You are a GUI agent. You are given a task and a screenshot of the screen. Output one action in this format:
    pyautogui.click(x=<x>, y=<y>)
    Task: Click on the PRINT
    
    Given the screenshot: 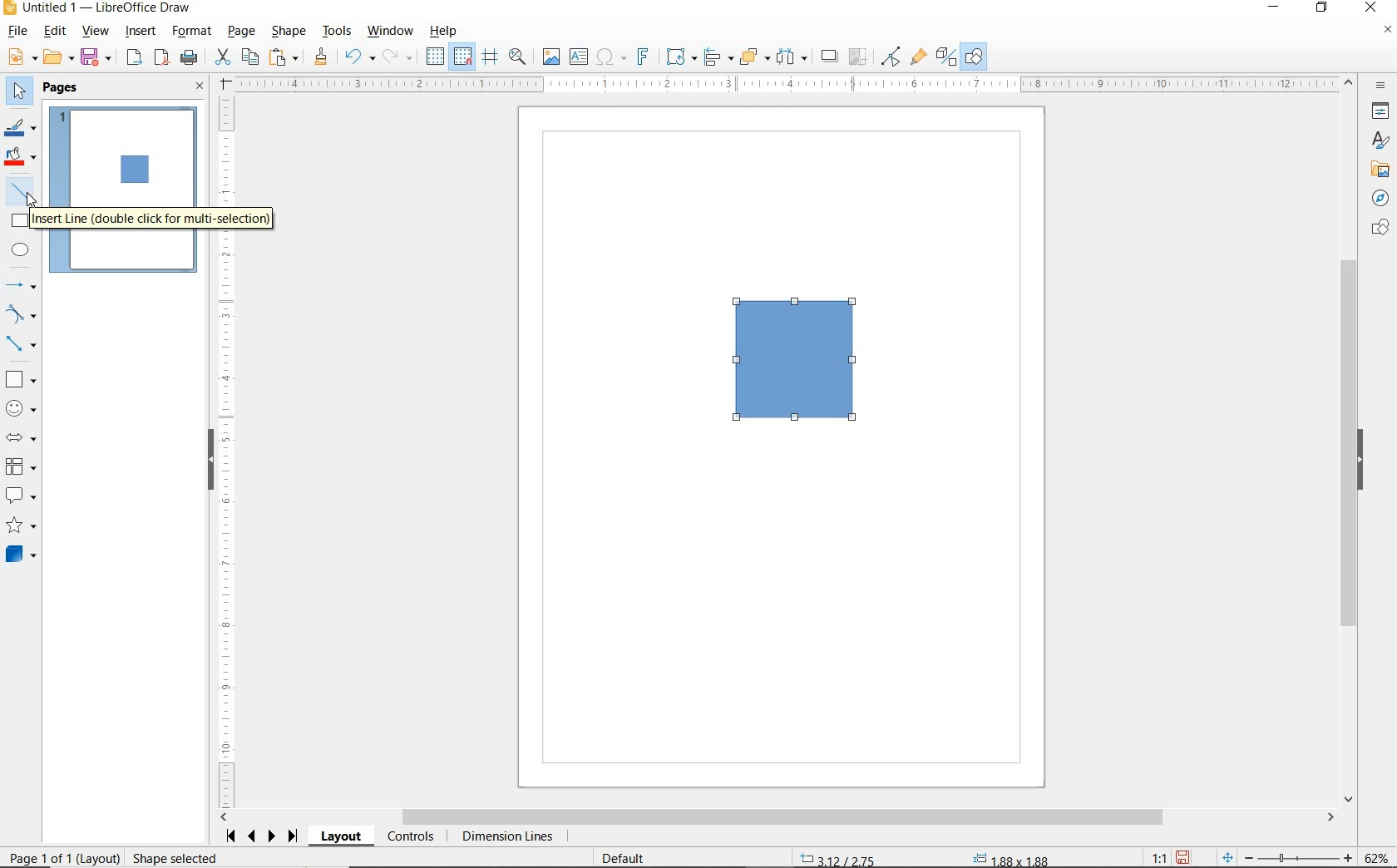 What is the action you would take?
    pyautogui.click(x=190, y=60)
    